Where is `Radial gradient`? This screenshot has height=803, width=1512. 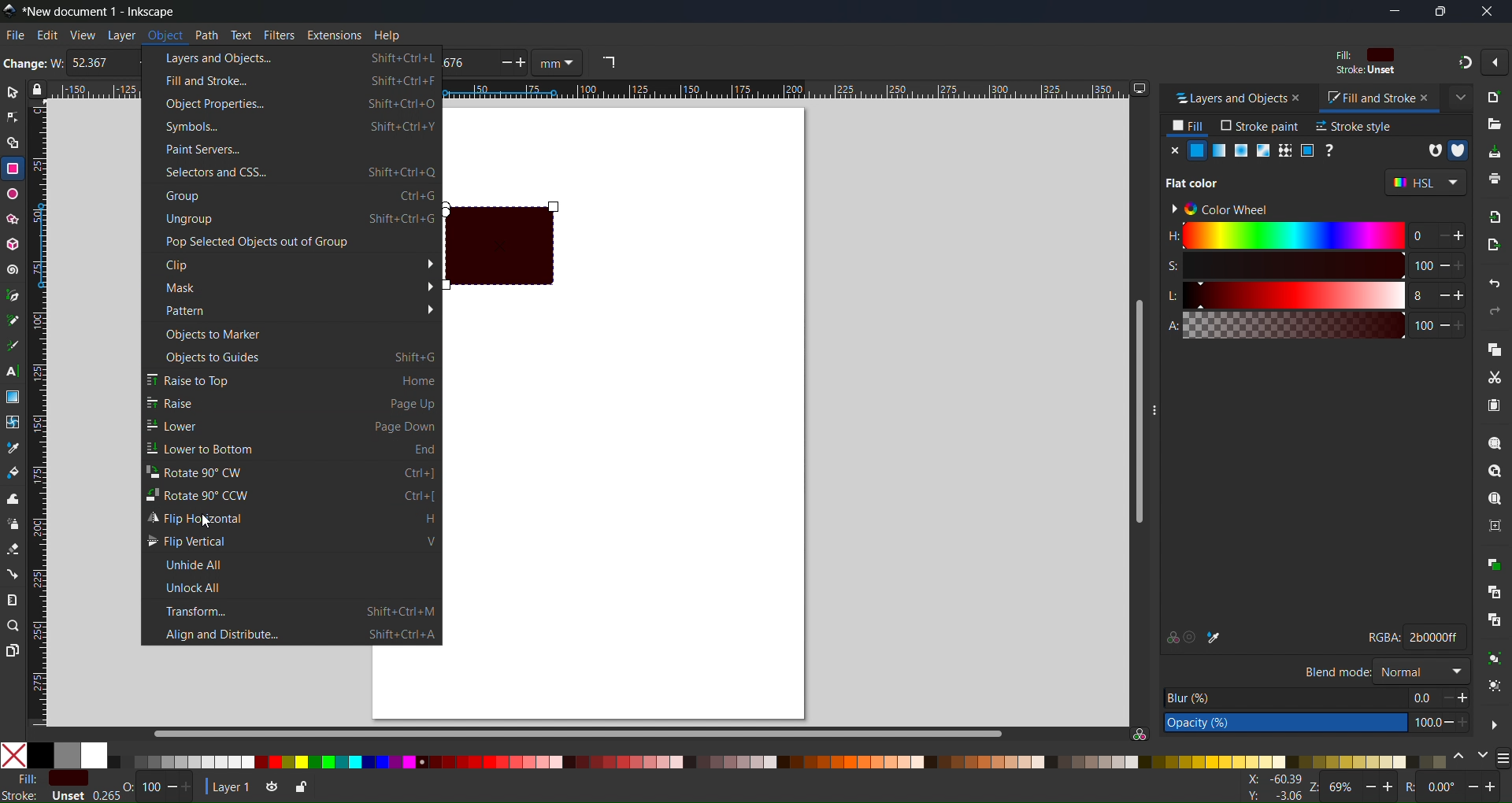
Radial gradient is located at coordinates (1240, 150).